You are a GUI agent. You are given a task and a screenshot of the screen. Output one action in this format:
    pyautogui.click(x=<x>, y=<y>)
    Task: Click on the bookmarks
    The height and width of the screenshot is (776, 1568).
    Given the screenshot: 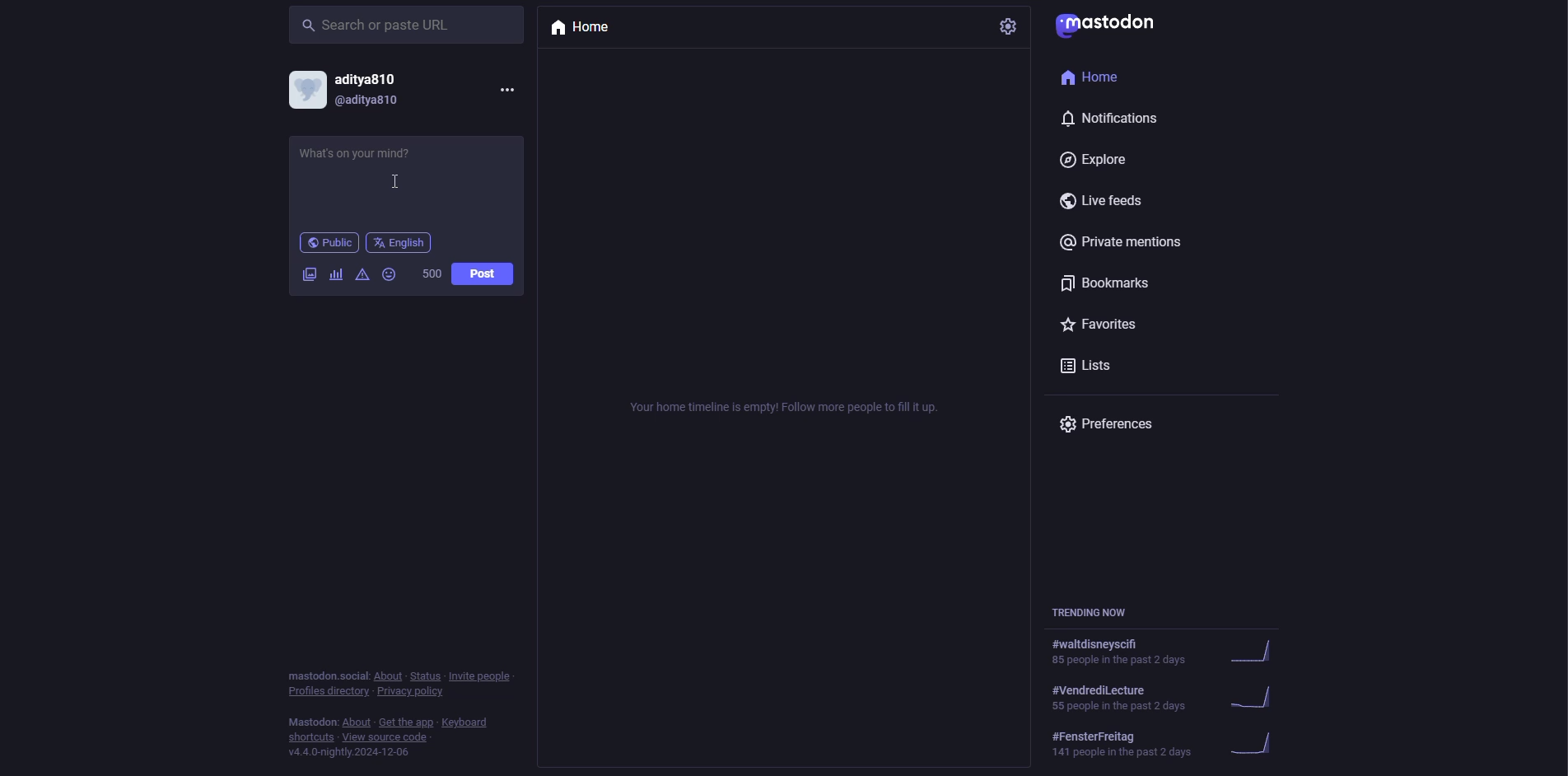 What is the action you would take?
    pyautogui.click(x=1107, y=285)
    